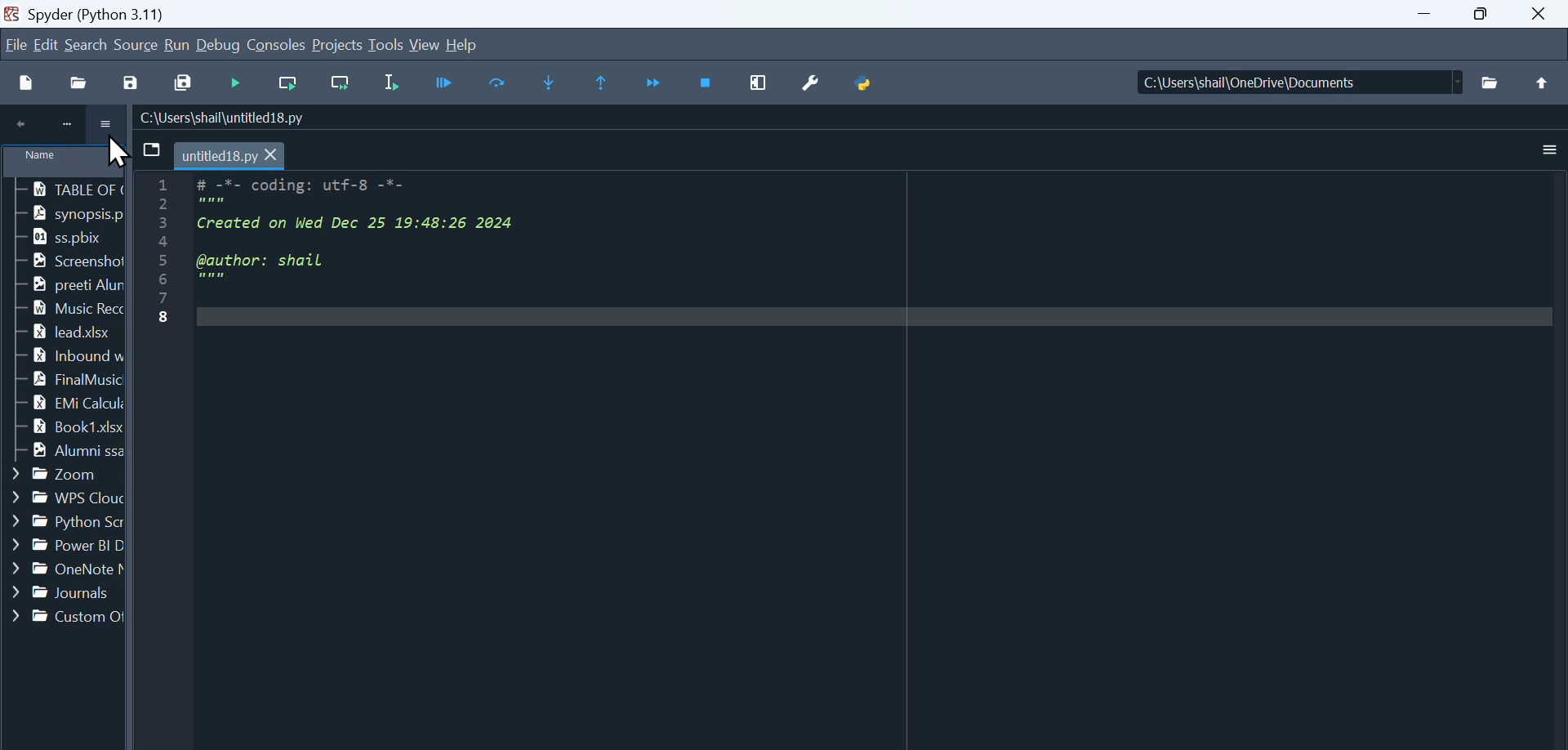 The image size is (1568, 750). Describe the element at coordinates (1285, 84) in the screenshot. I see `c:/users/shail/onedrive/document` at that location.